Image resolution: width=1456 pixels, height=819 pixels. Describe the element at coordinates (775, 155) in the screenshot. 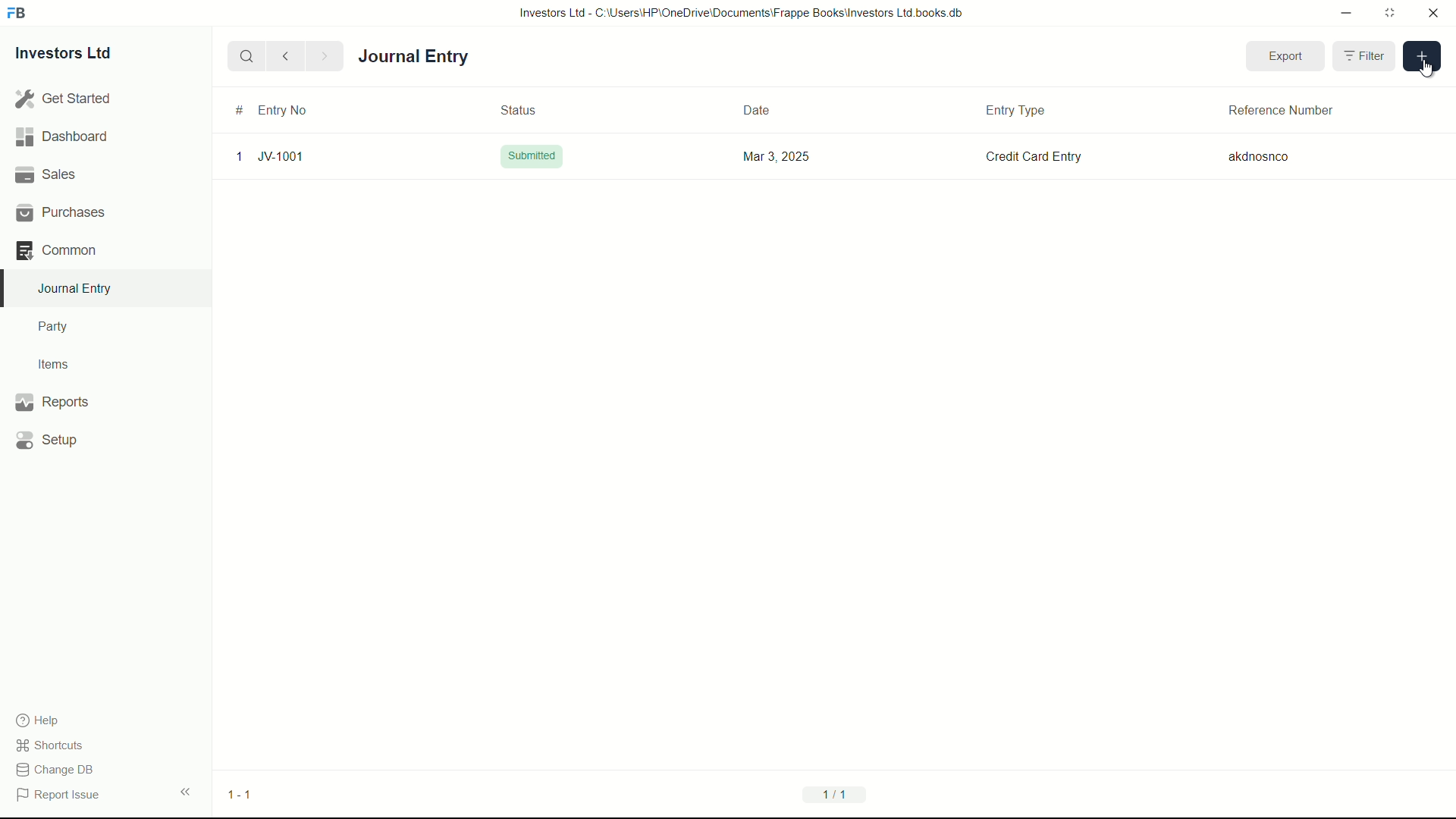

I see `Mar 3, 2025` at that location.